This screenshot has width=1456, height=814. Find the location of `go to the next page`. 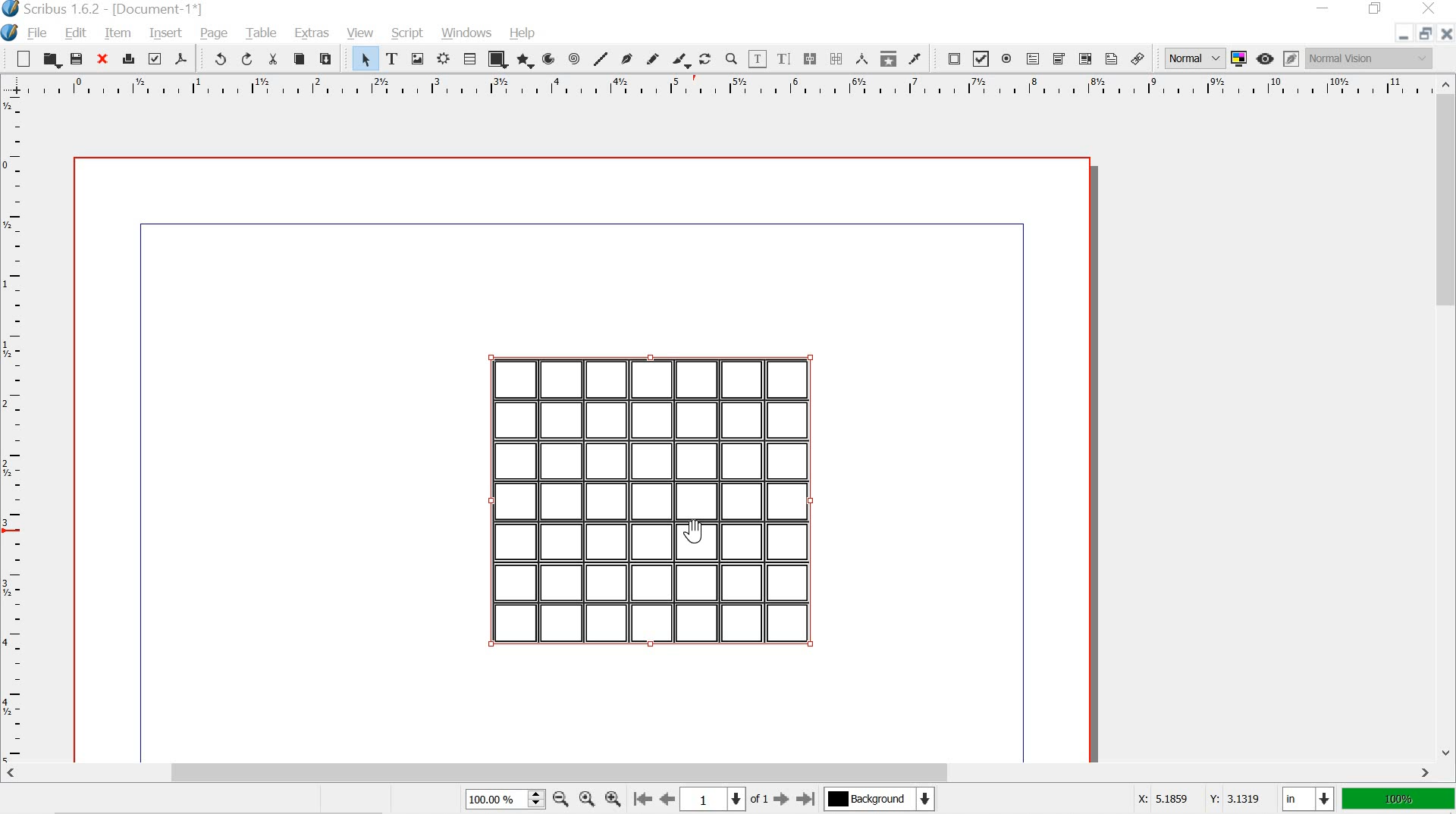

go to the next page is located at coordinates (783, 800).